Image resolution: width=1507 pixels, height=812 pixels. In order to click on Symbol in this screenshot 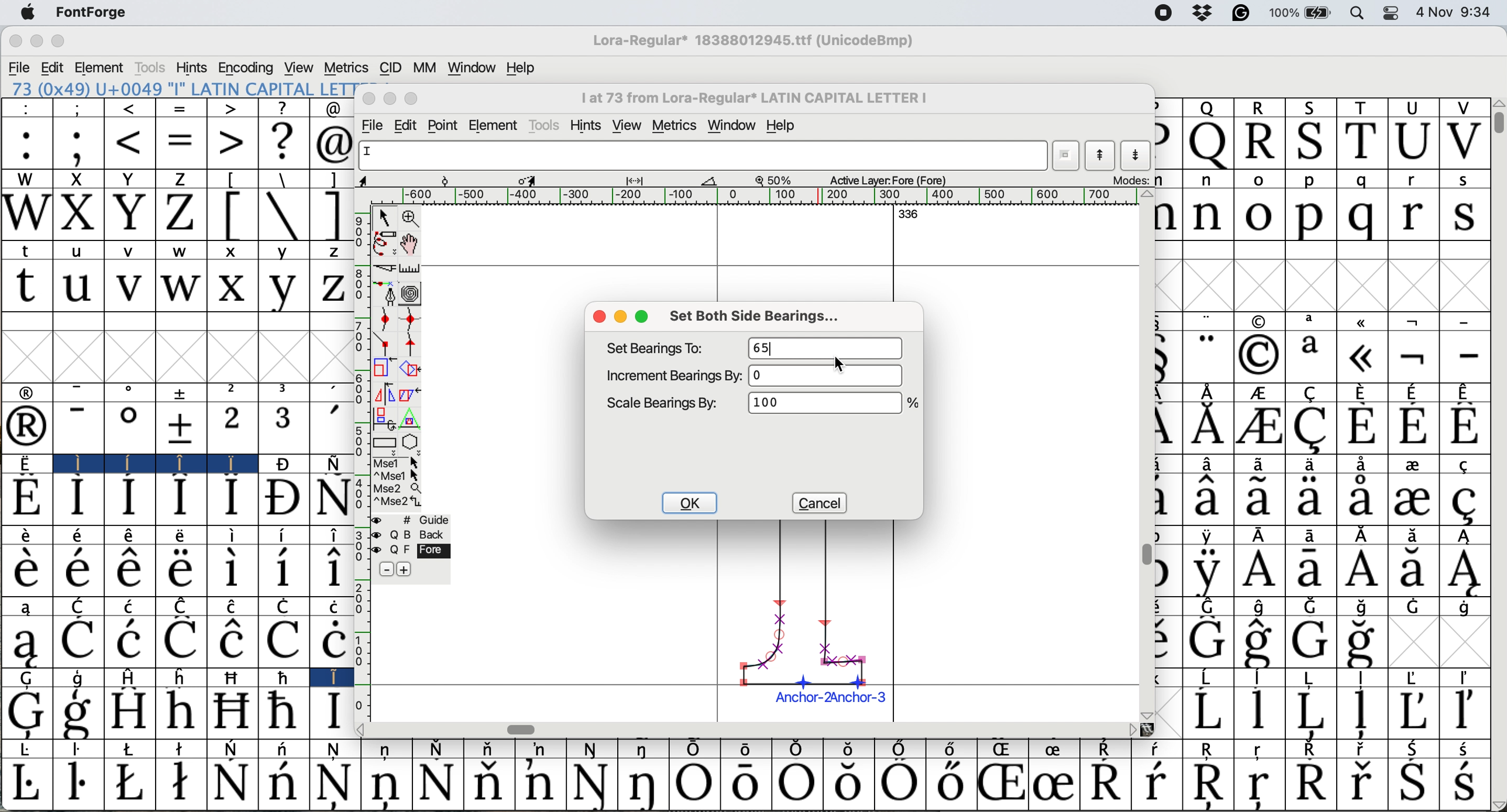, I will do `click(1205, 426)`.